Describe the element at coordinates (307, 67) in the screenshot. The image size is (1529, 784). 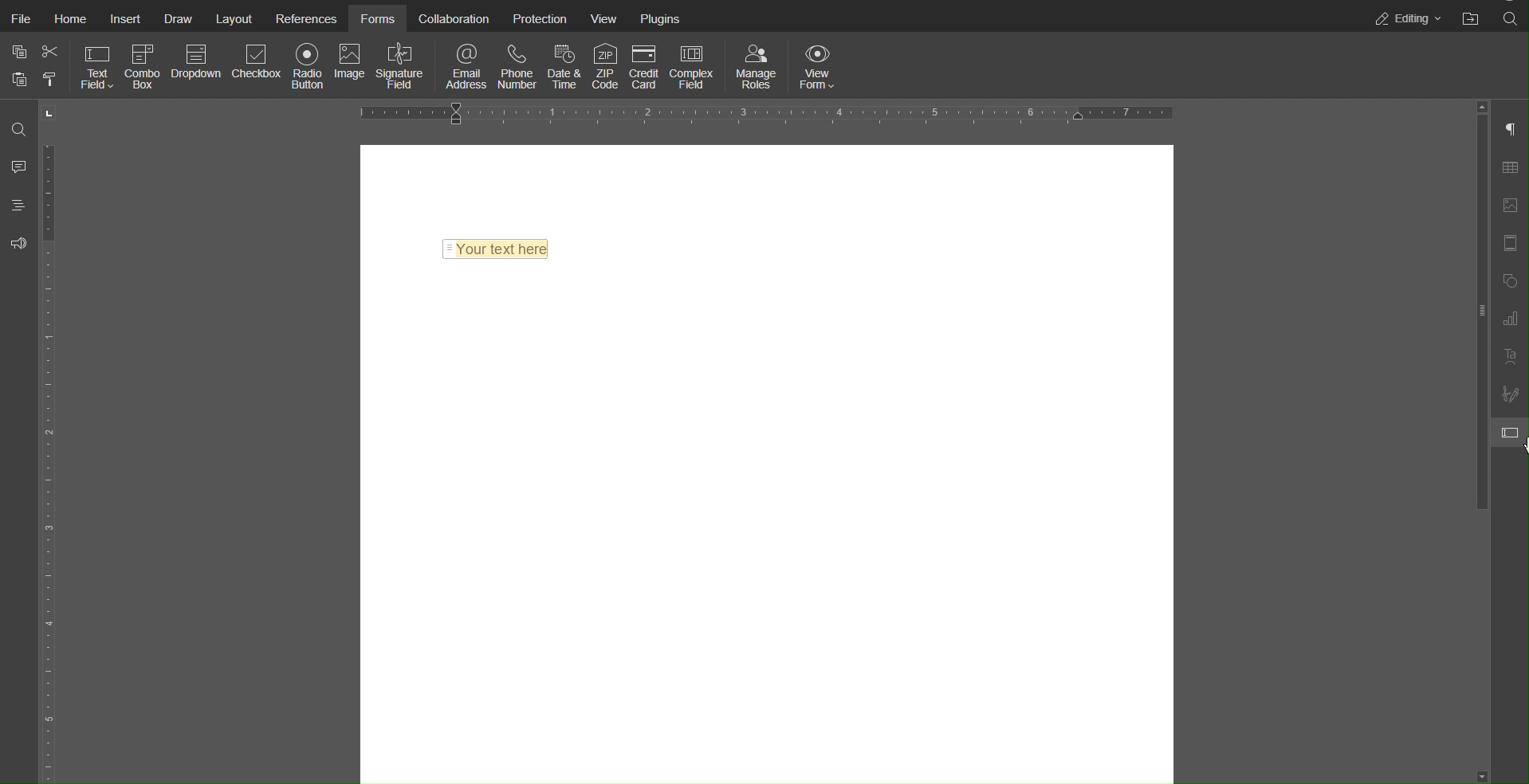
I see `Radio Button` at that location.